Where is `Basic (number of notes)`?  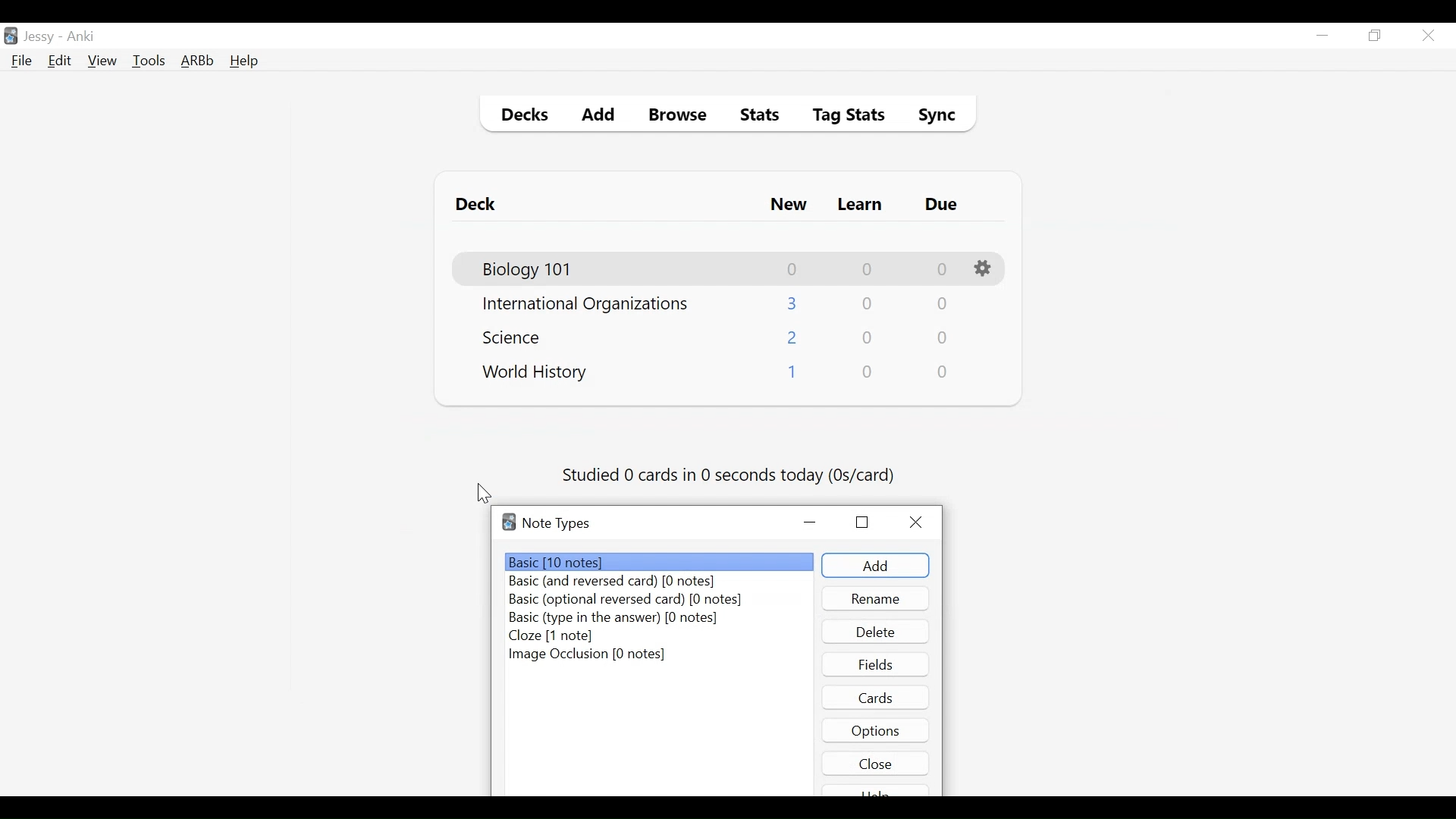 Basic (number of notes) is located at coordinates (661, 562).